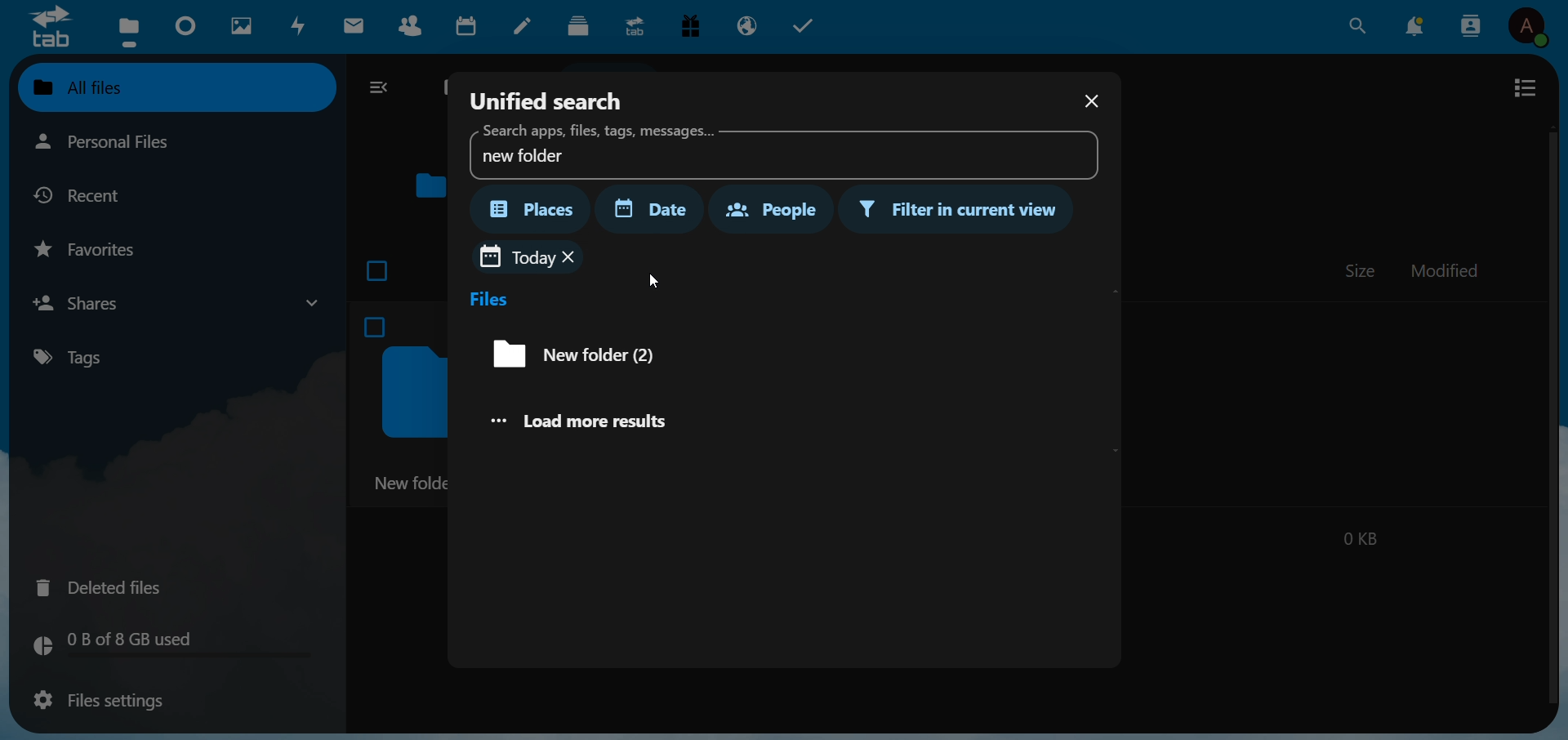 The height and width of the screenshot is (740, 1568). What do you see at coordinates (749, 25) in the screenshot?
I see `email hosting` at bounding box center [749, 25].